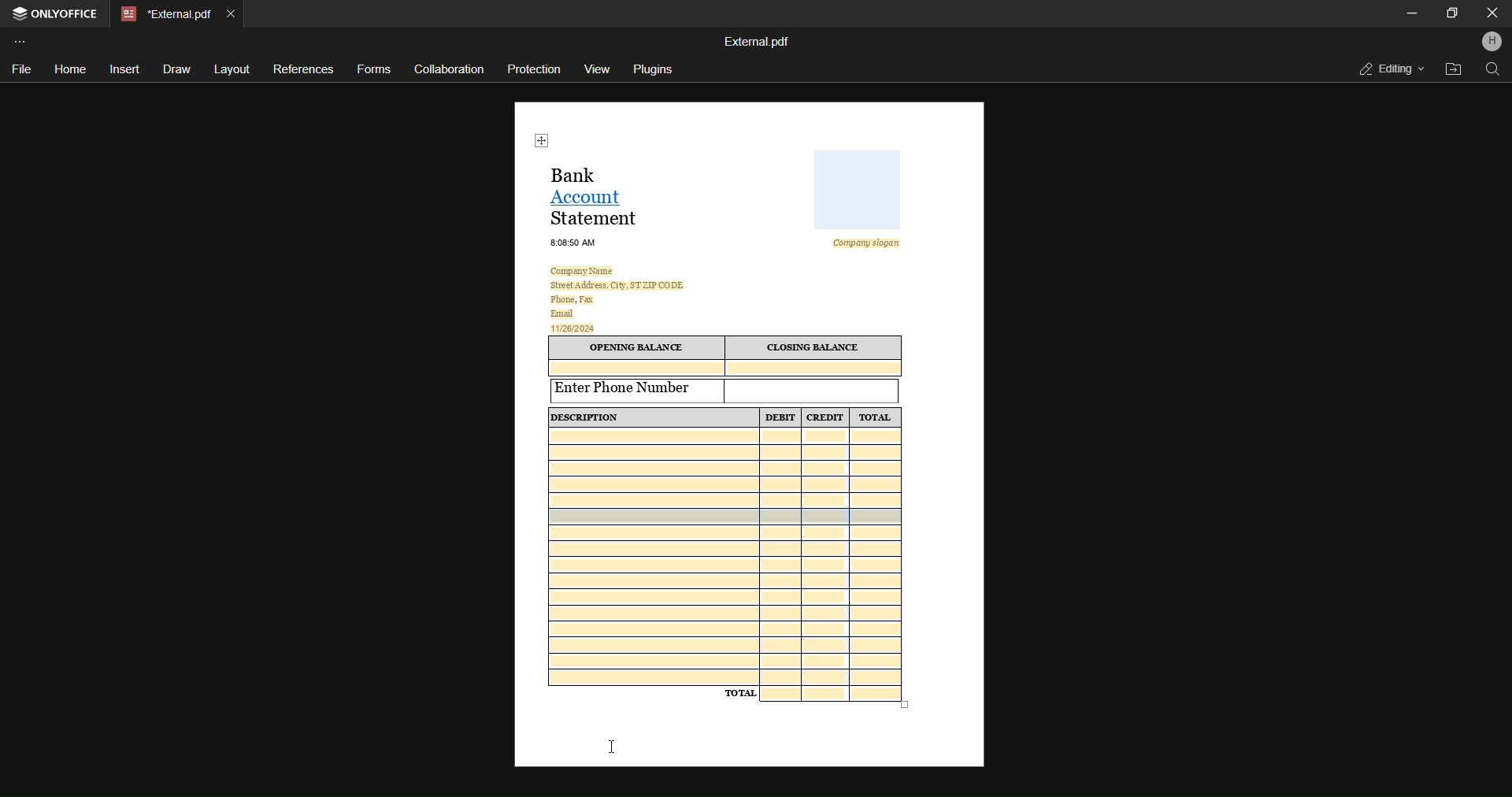  What do you see at coordinates (235, 11) in the screenshot?
I see `close current open tab` at bounding box center [235, 11].